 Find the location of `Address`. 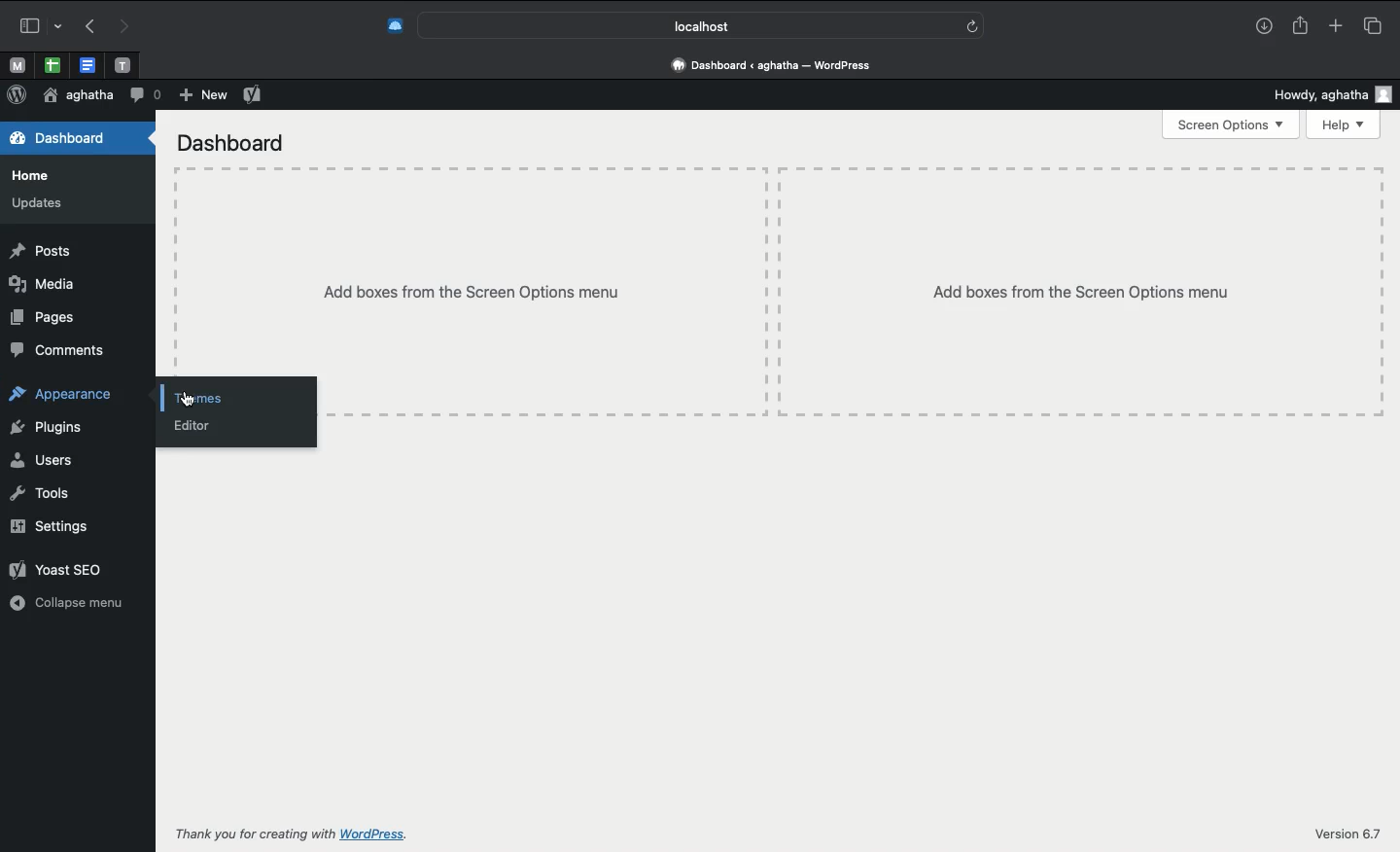

Address is located at coordinates (779, 64).